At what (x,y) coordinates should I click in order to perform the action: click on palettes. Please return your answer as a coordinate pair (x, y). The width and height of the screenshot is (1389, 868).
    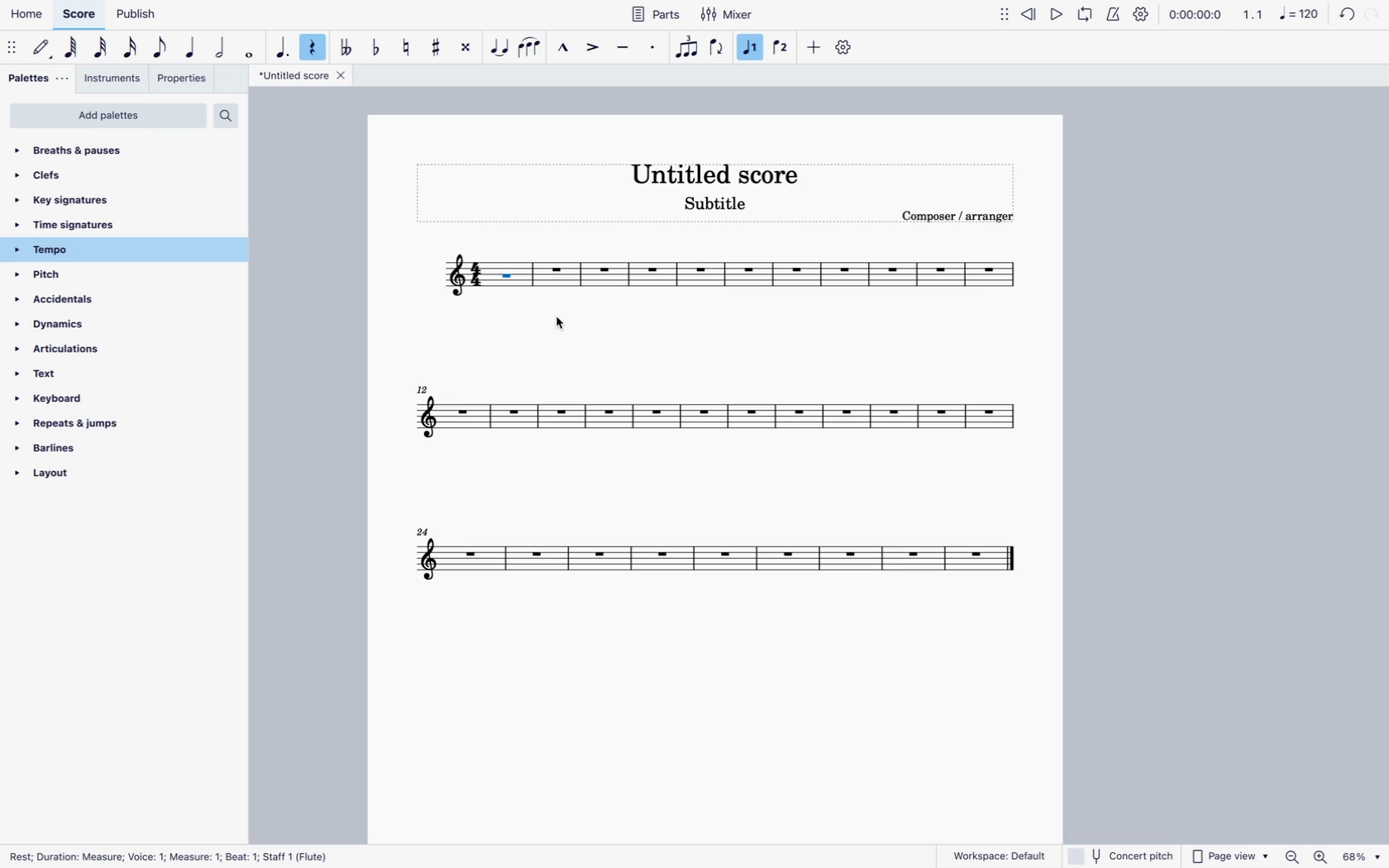
    Looking at the image, I should click on (38, 79).